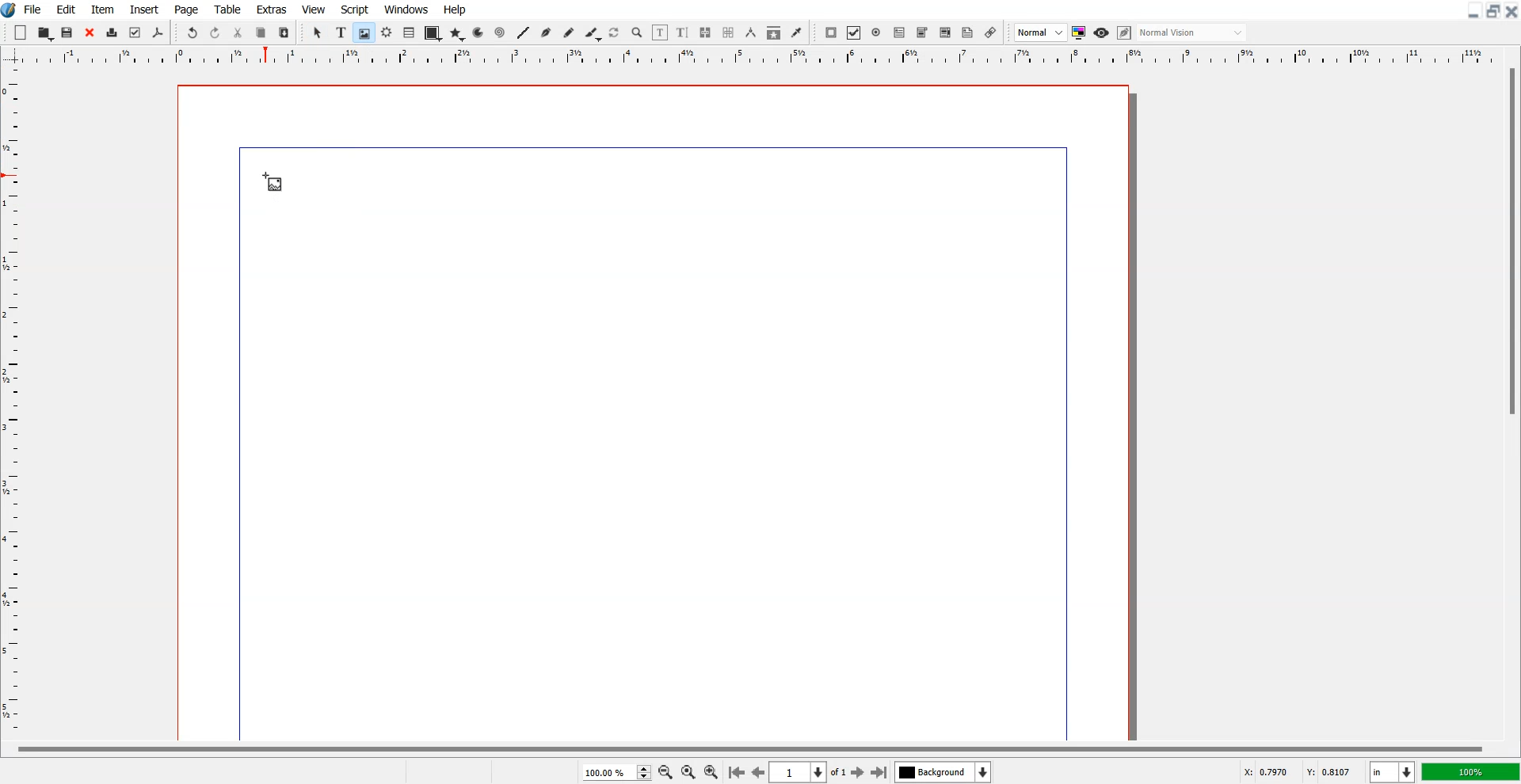 The image size is (1521, 784). What do you see at coordinates (318, 33) in the screenshot?
I see `Select Item` at bounding box center [318, 33].